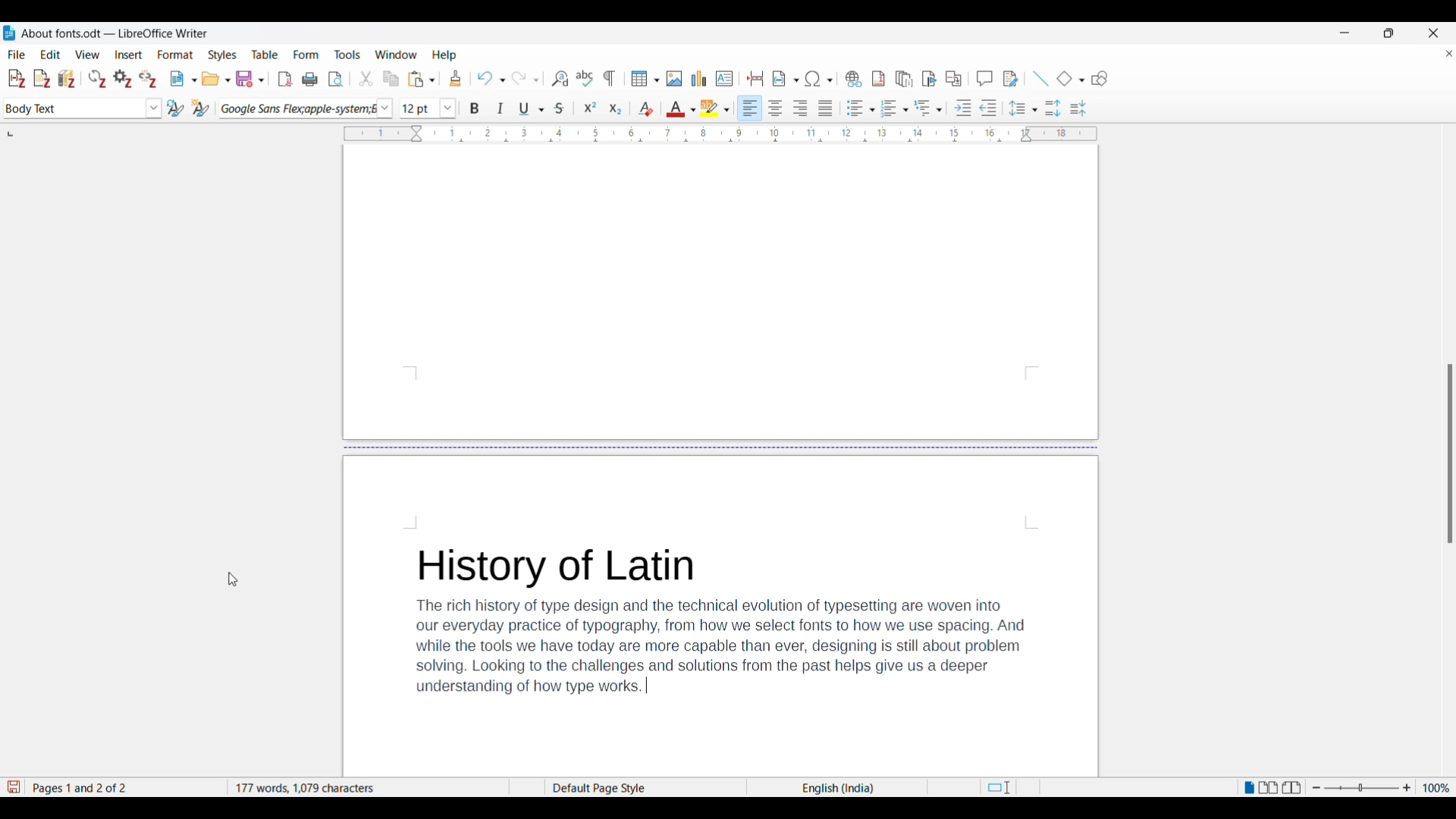  I want to click on Current page style, so click(645, 788).